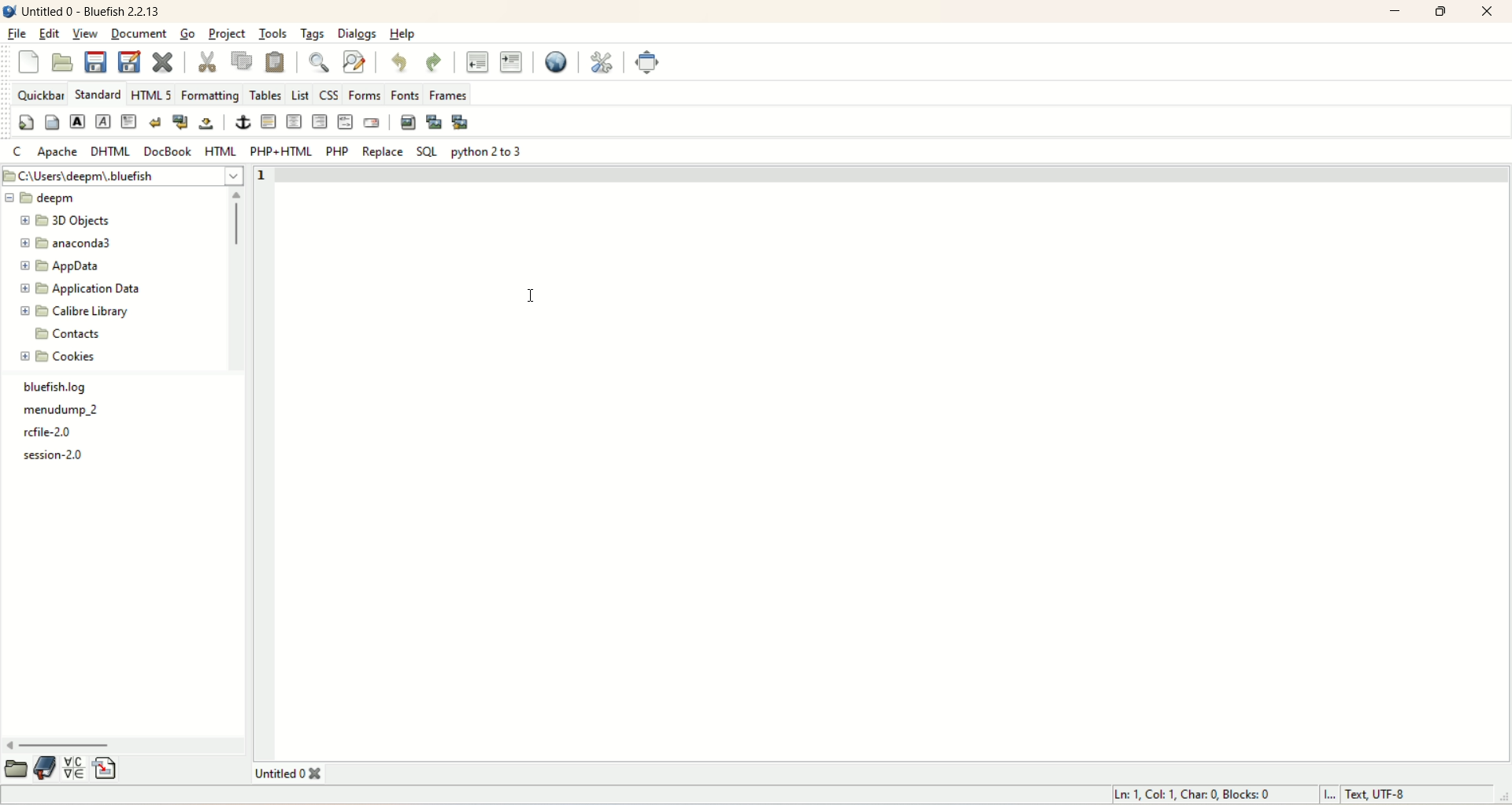  What do you see at coordinates (1331, 796) in the screenshot?
I see `I` at bounding box center [1331, 796].